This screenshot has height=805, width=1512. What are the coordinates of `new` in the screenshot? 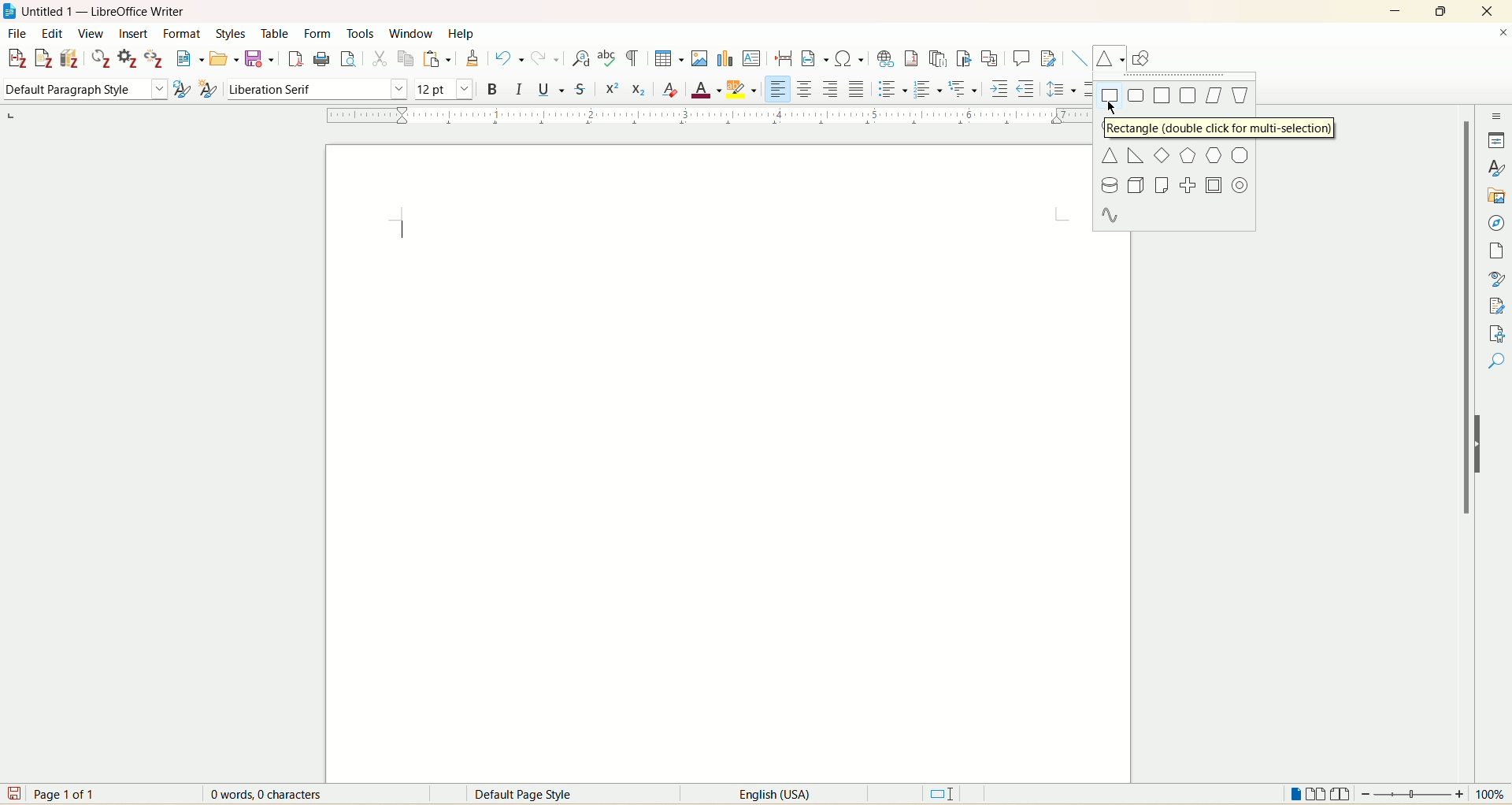 It's located at (190, 58).